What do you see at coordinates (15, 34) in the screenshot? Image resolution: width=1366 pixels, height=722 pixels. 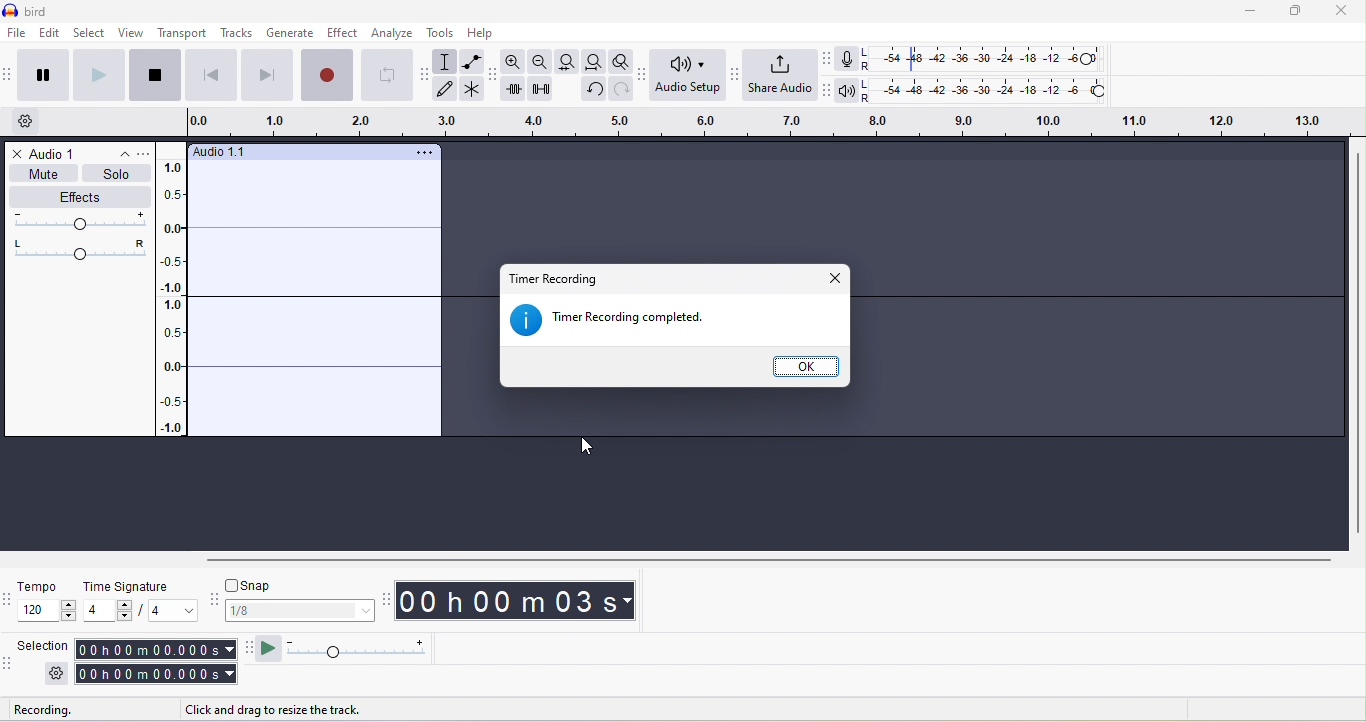 I see `file` at bounding box center [15, 34].